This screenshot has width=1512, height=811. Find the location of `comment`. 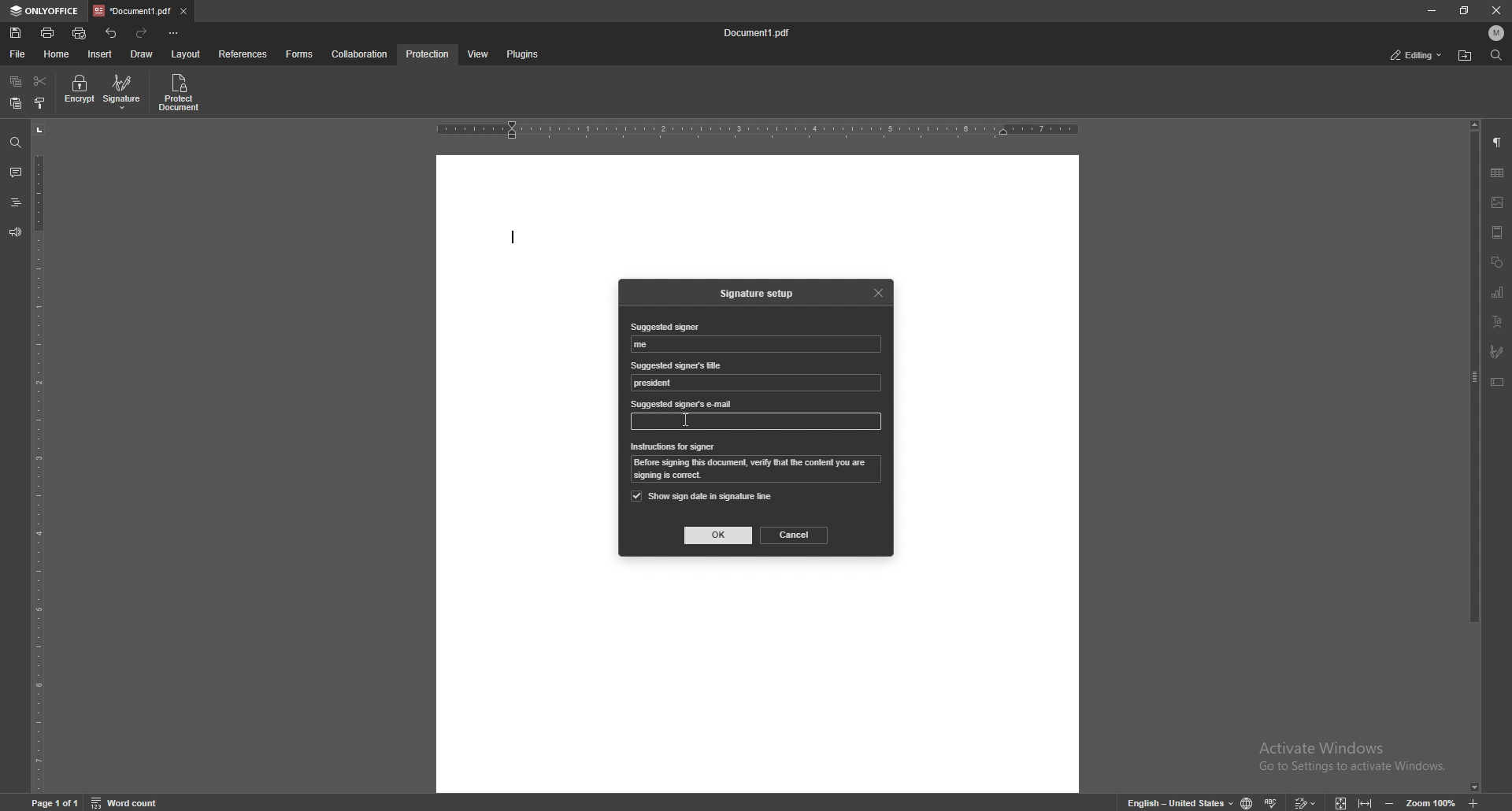

comment is located at coordinates (13, 172).